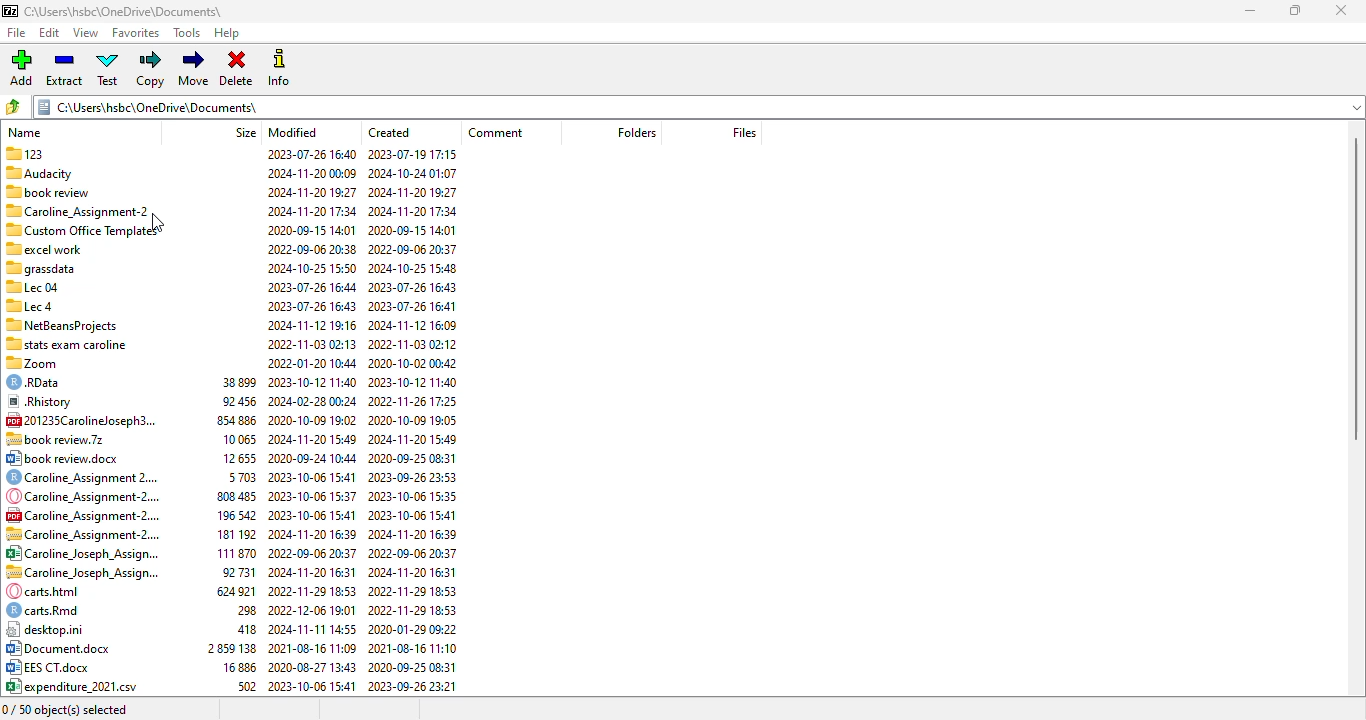  I want to click on 2022-09-06 20:37, so click(414, 248).